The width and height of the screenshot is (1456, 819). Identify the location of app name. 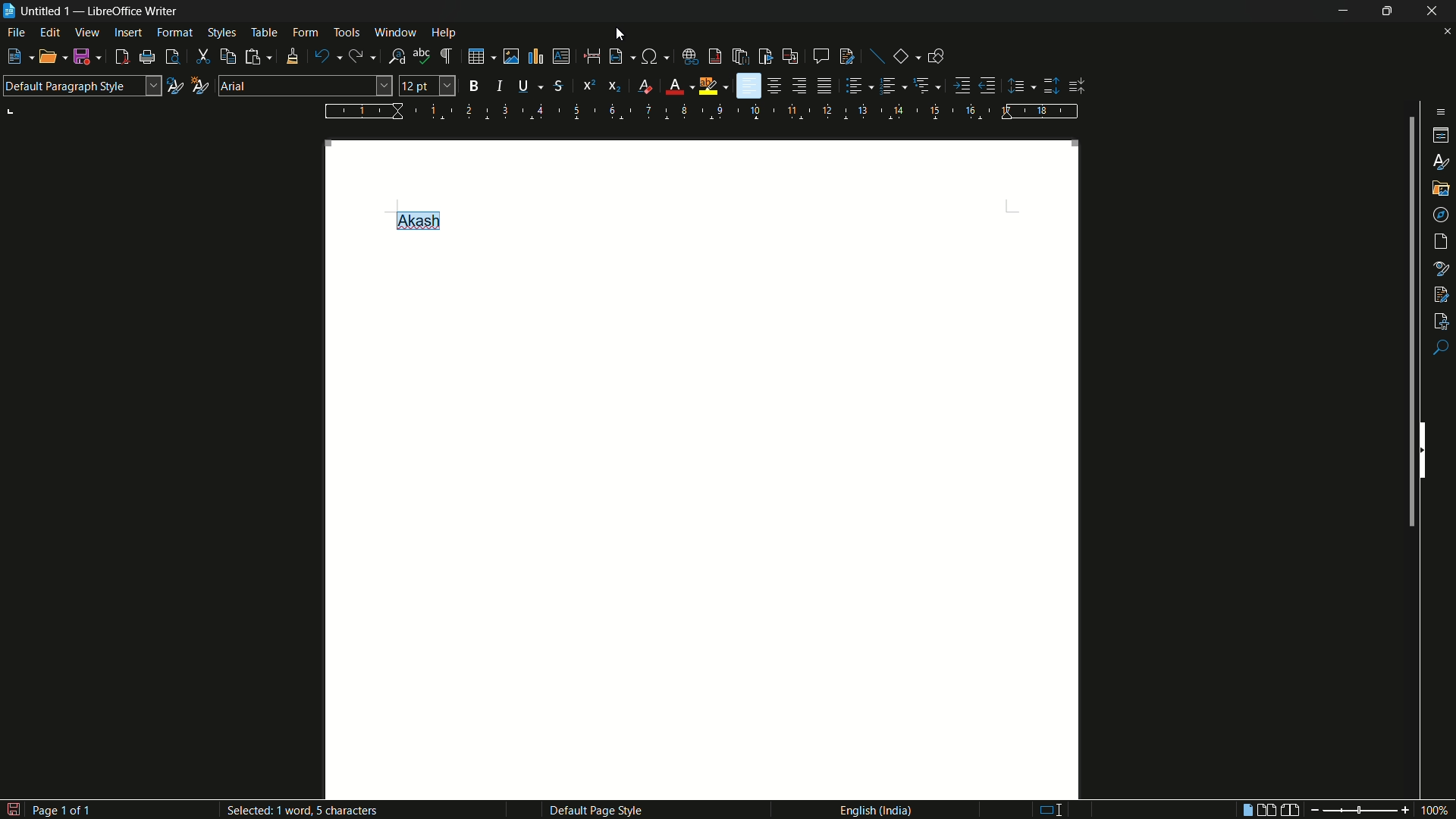
(134, 11).